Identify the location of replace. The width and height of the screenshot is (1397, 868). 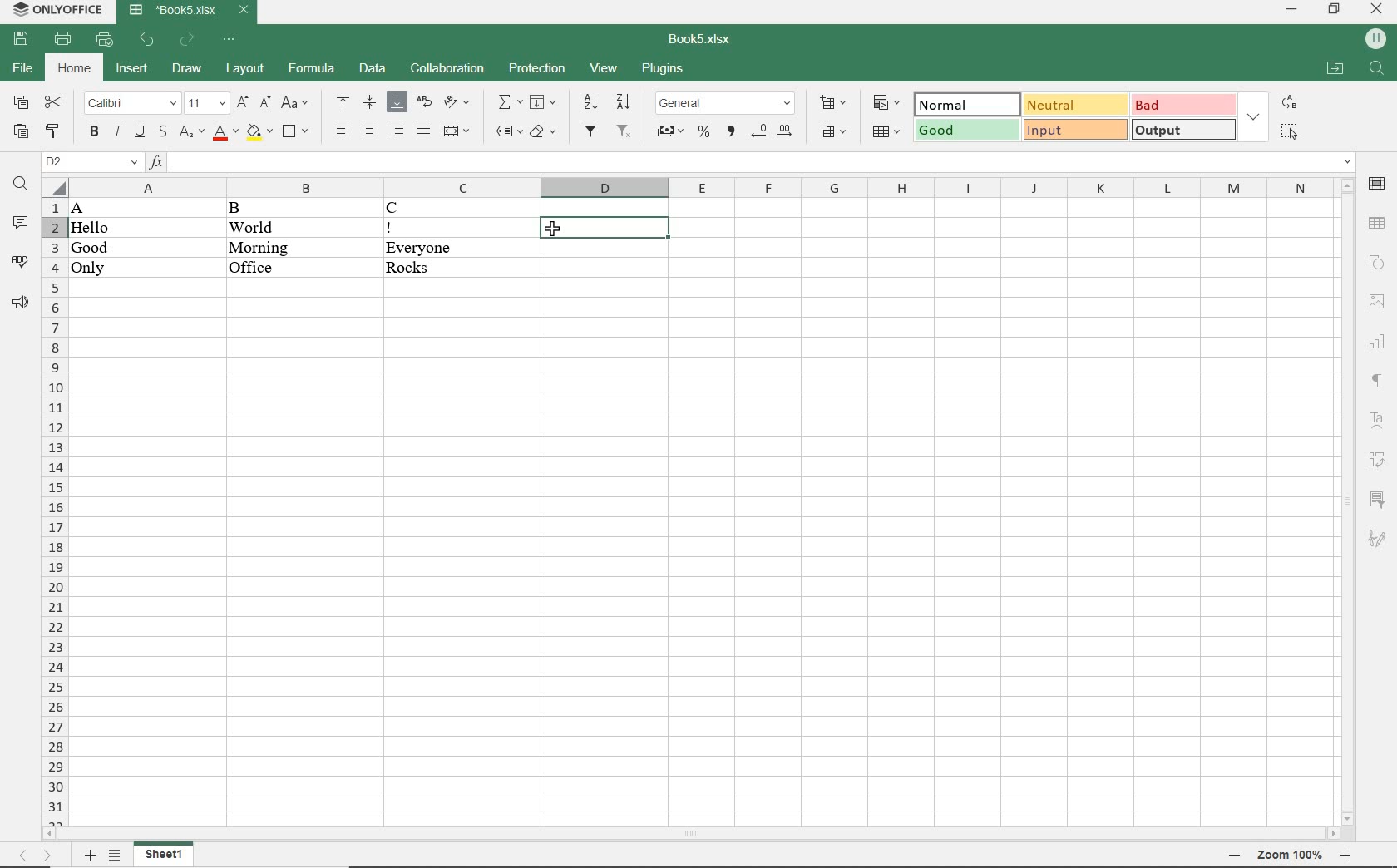
(1291, 103).